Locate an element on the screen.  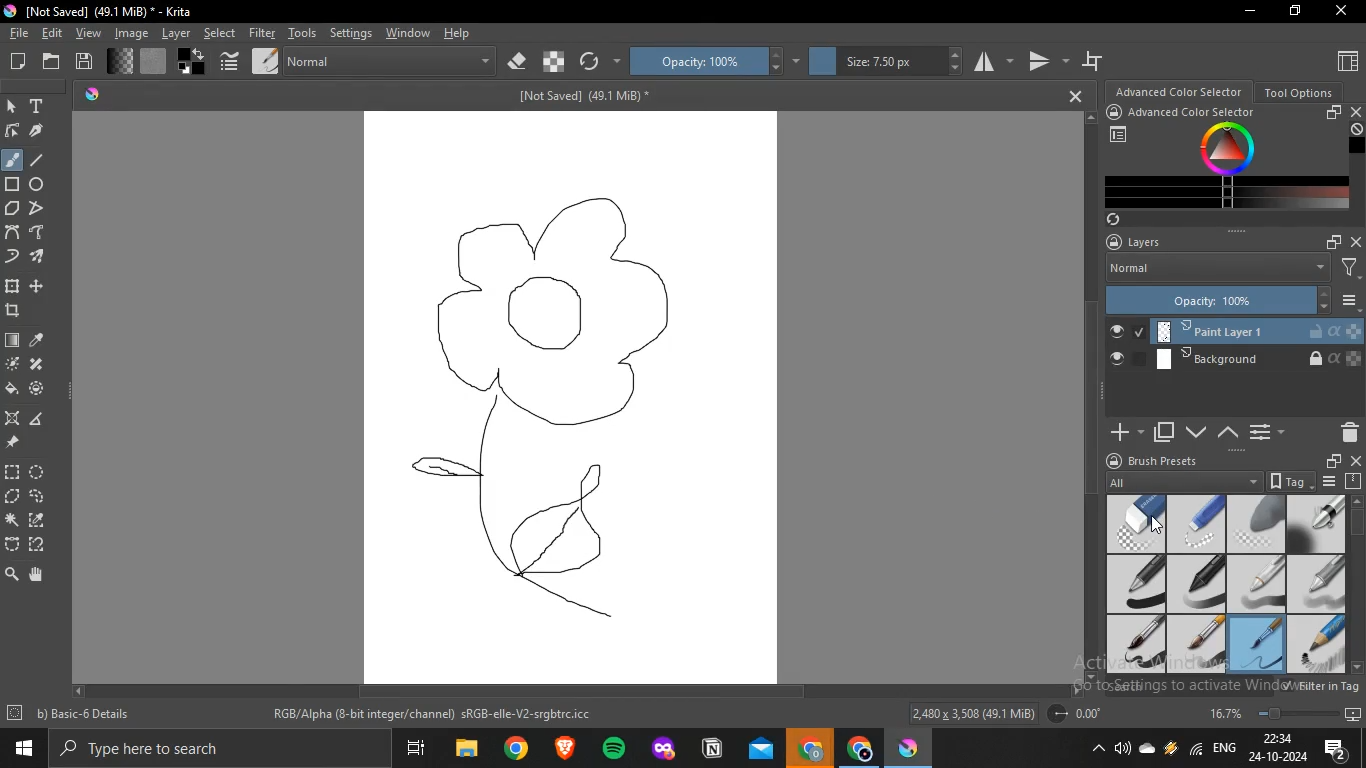
Slideshow is located at coordinates (1353, 712).